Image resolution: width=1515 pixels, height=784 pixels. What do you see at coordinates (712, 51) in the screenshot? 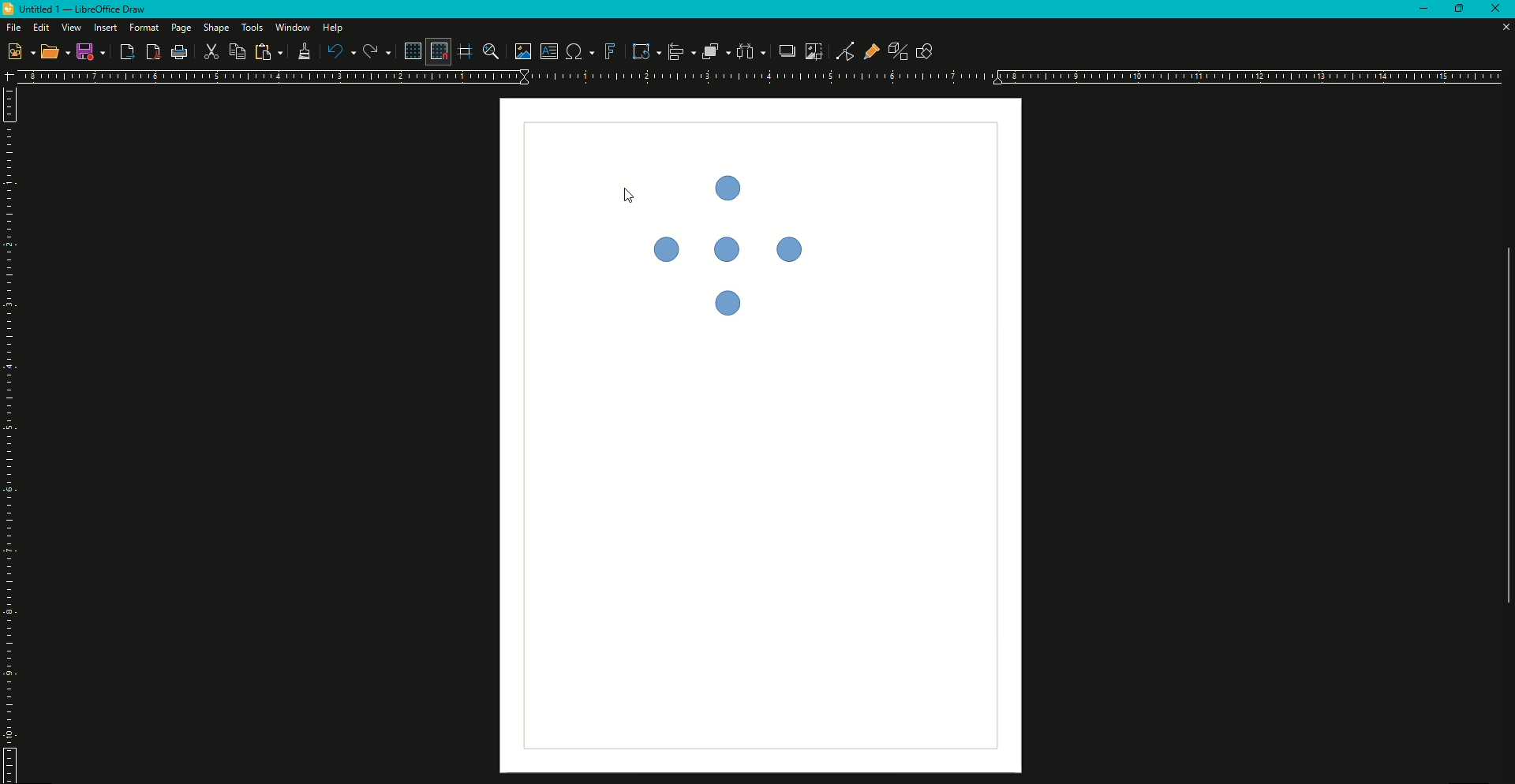
I see `Arrange` at bounding box center [712, 51].